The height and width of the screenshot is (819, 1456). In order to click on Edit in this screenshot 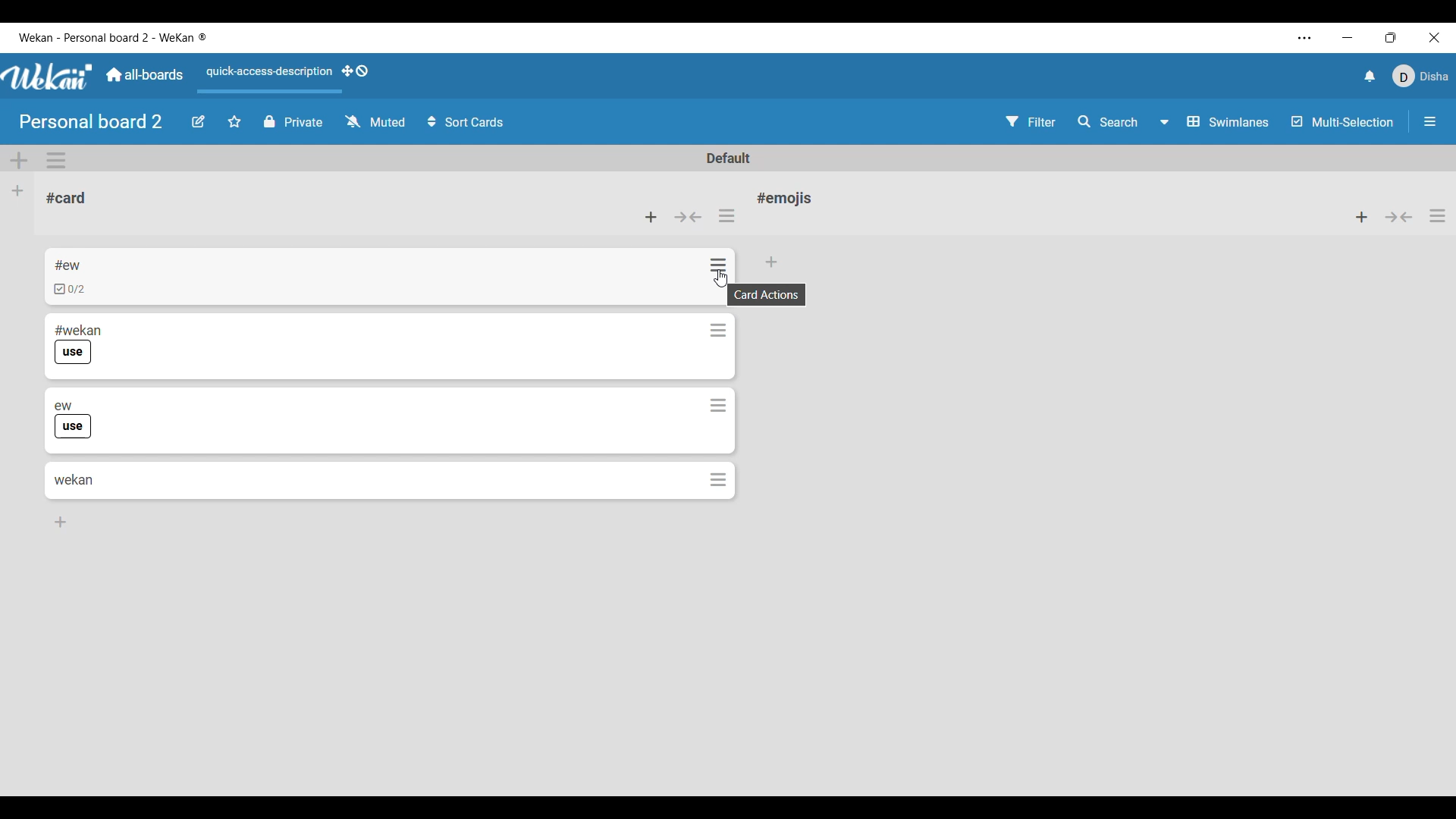, I will do `click(198, 122)`.